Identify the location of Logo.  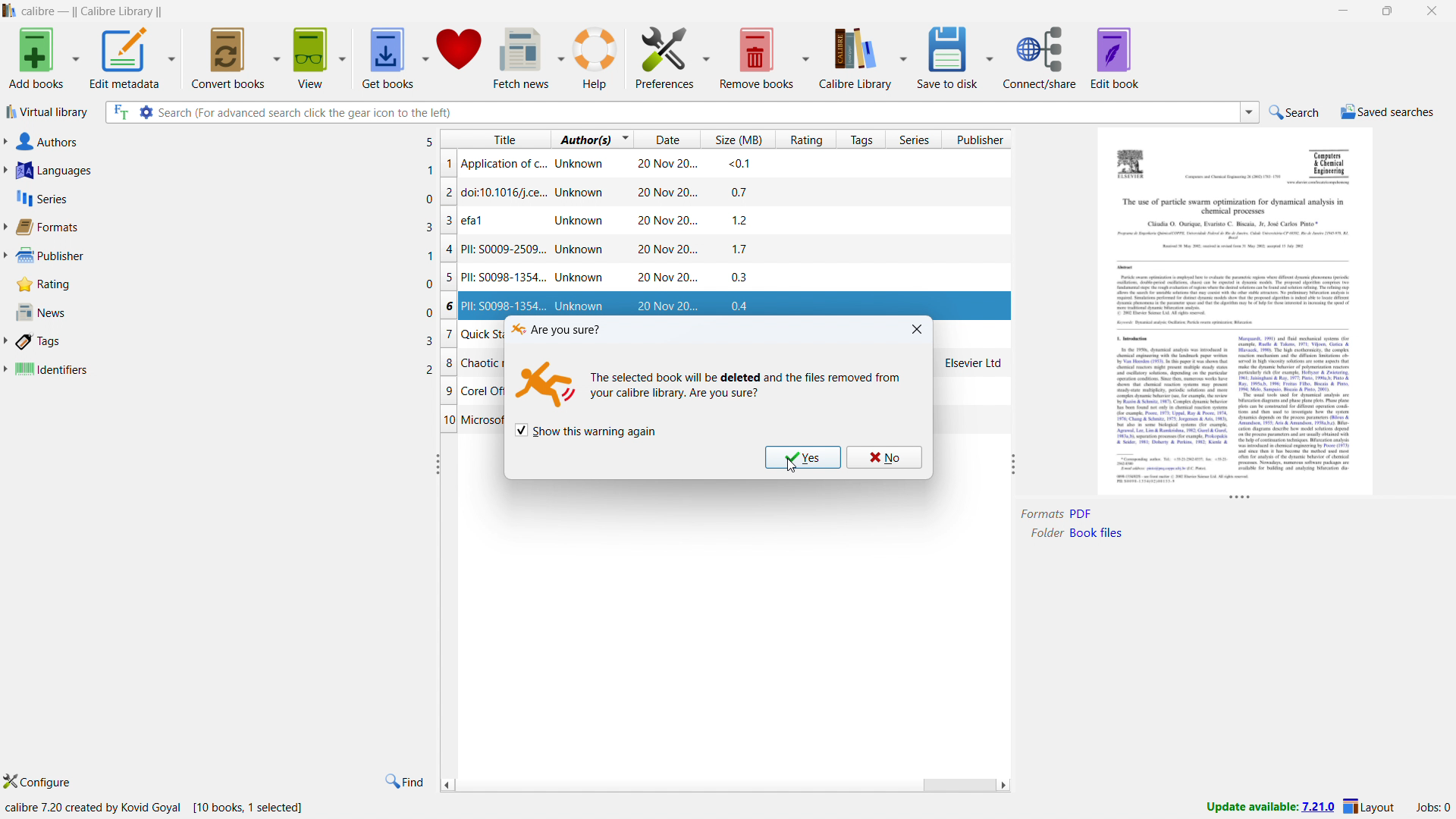
(543, 383).